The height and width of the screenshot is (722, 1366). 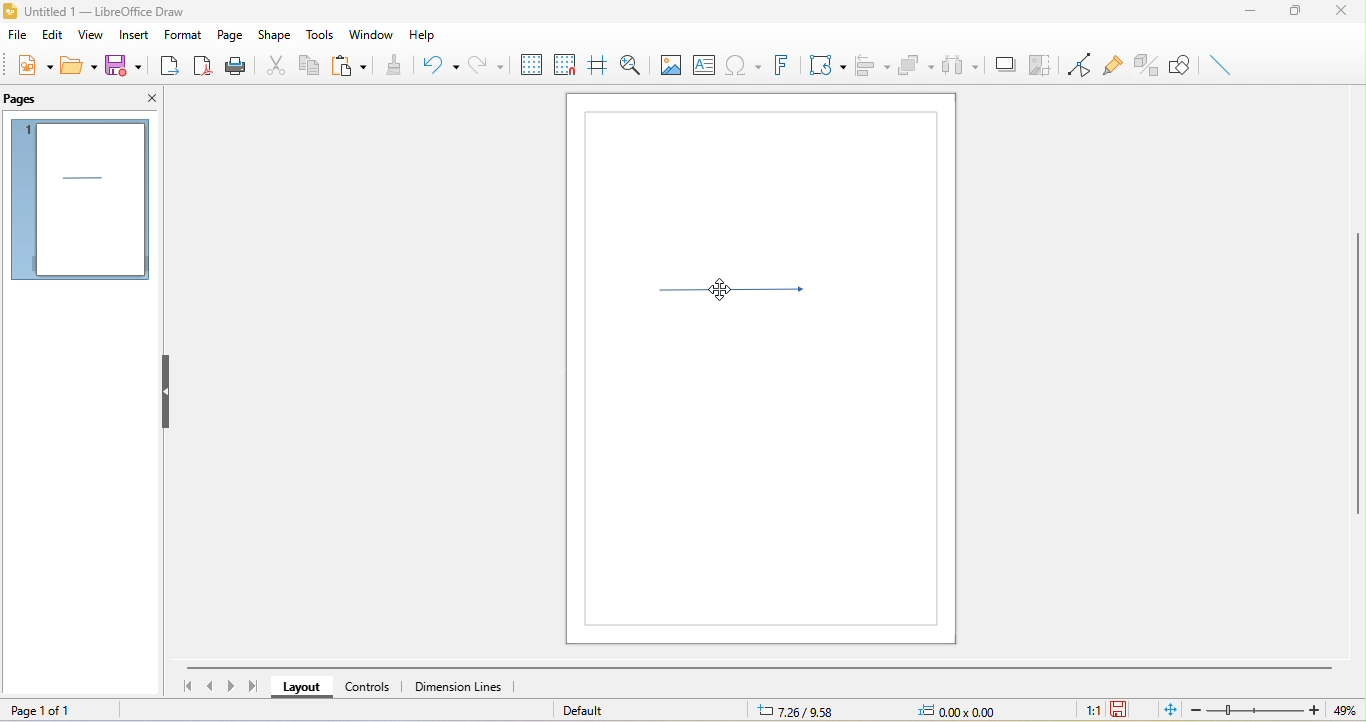 What do you see at coordinates (355, 64) in the screenshot?
I see `paste` at bounding box center [355, 64].